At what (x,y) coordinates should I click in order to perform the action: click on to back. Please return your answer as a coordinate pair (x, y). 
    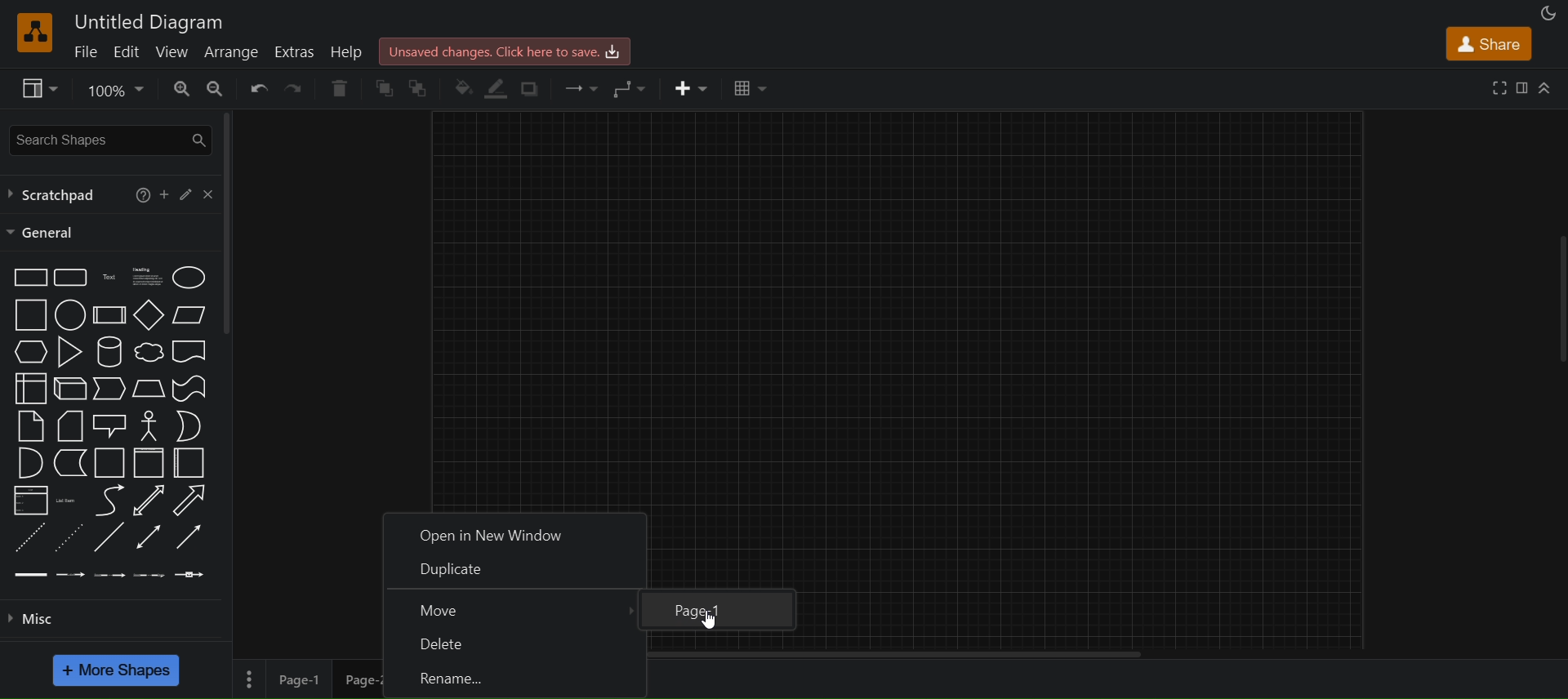
    Looking at the image, I should click on (422, 89).